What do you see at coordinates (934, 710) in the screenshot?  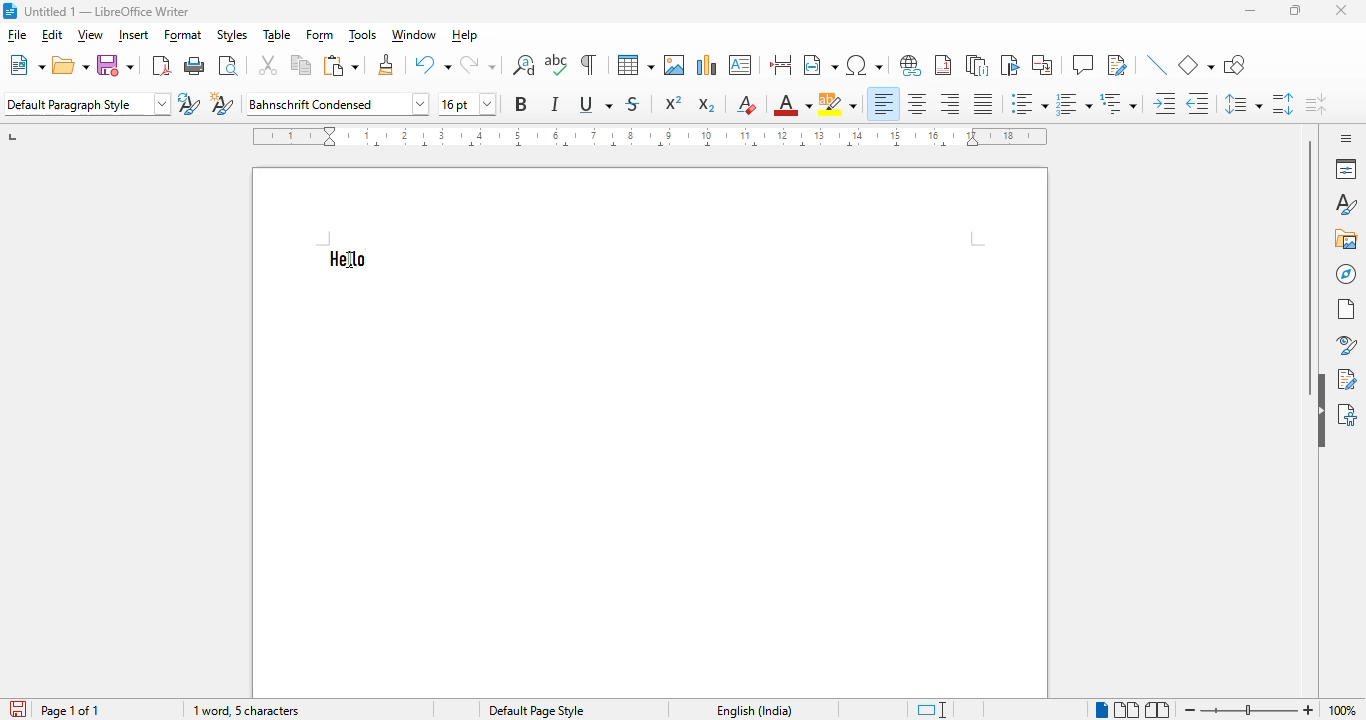 I see `standard language` at bounding box center [934, 710].